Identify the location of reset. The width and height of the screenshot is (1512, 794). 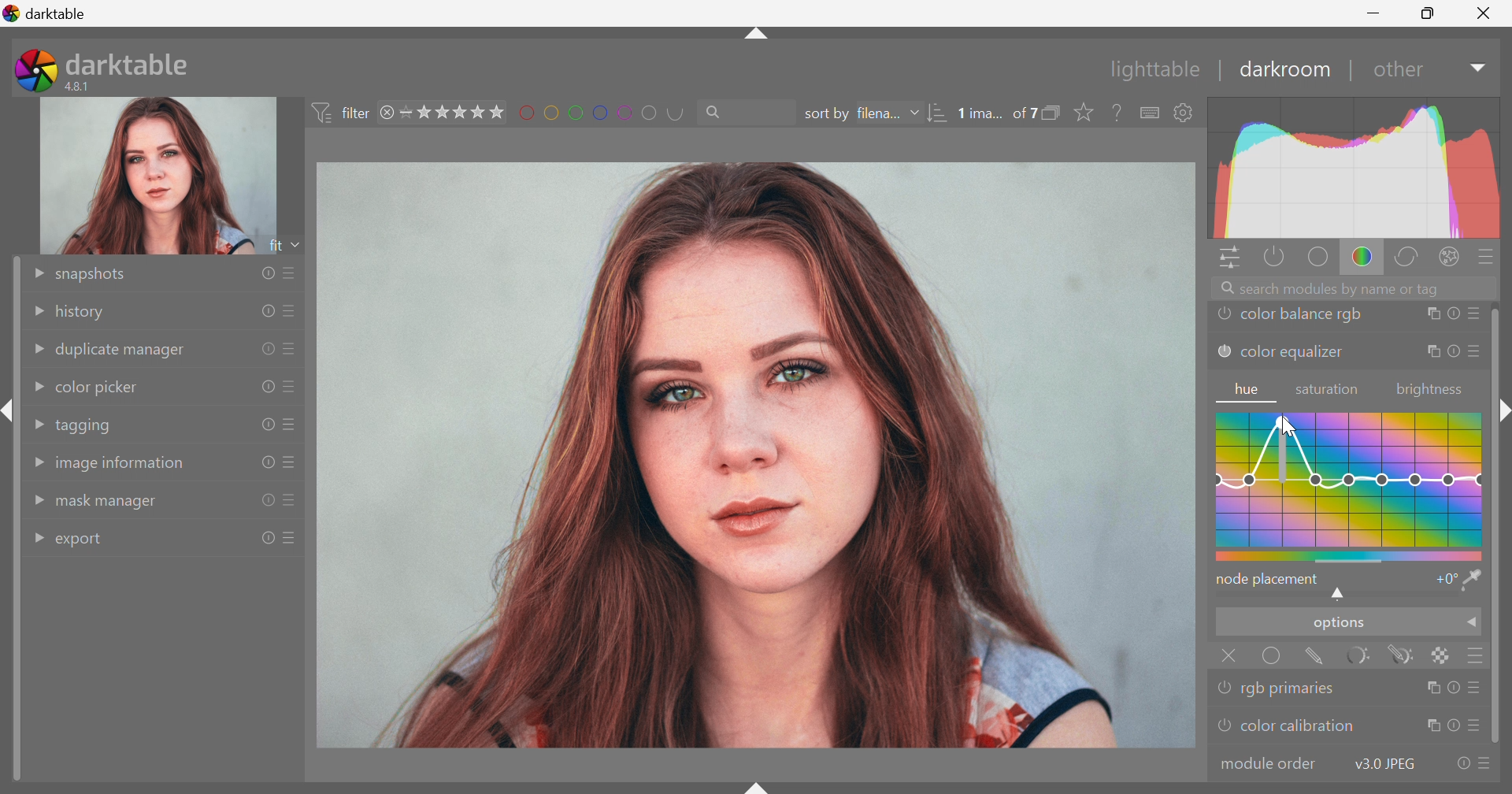
(265, 347).